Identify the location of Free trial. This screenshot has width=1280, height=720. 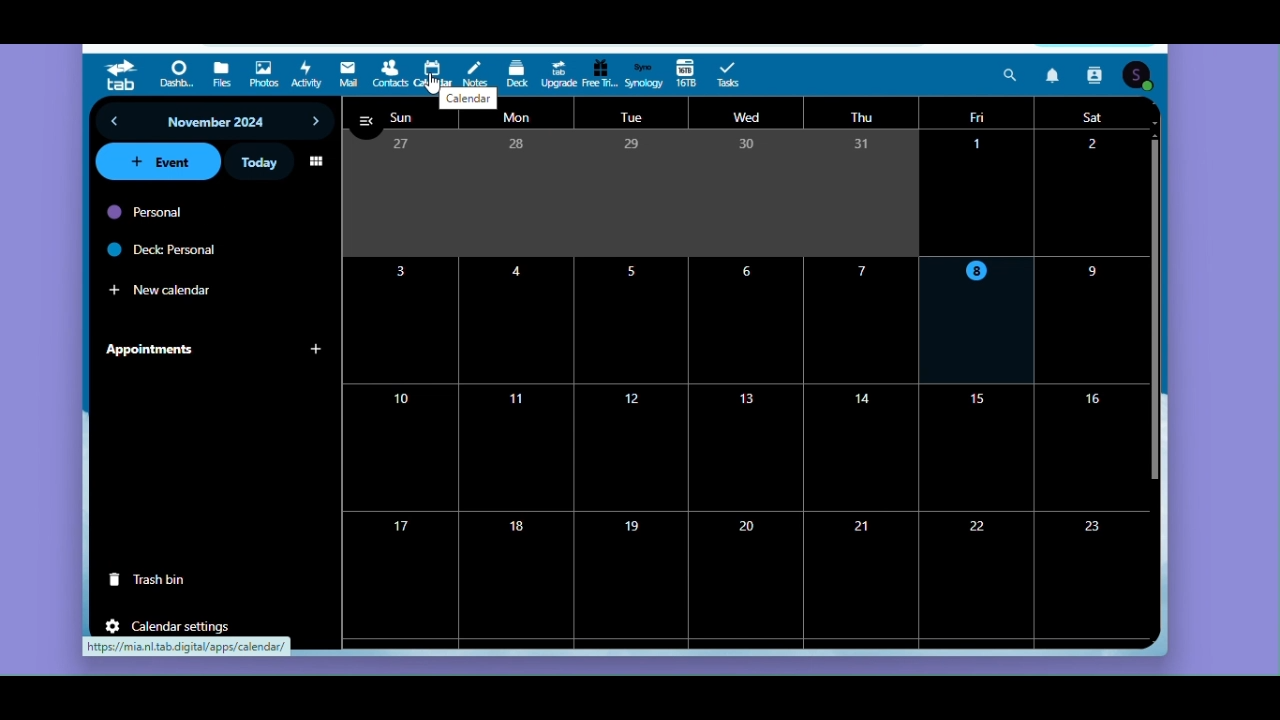
(599, 76).